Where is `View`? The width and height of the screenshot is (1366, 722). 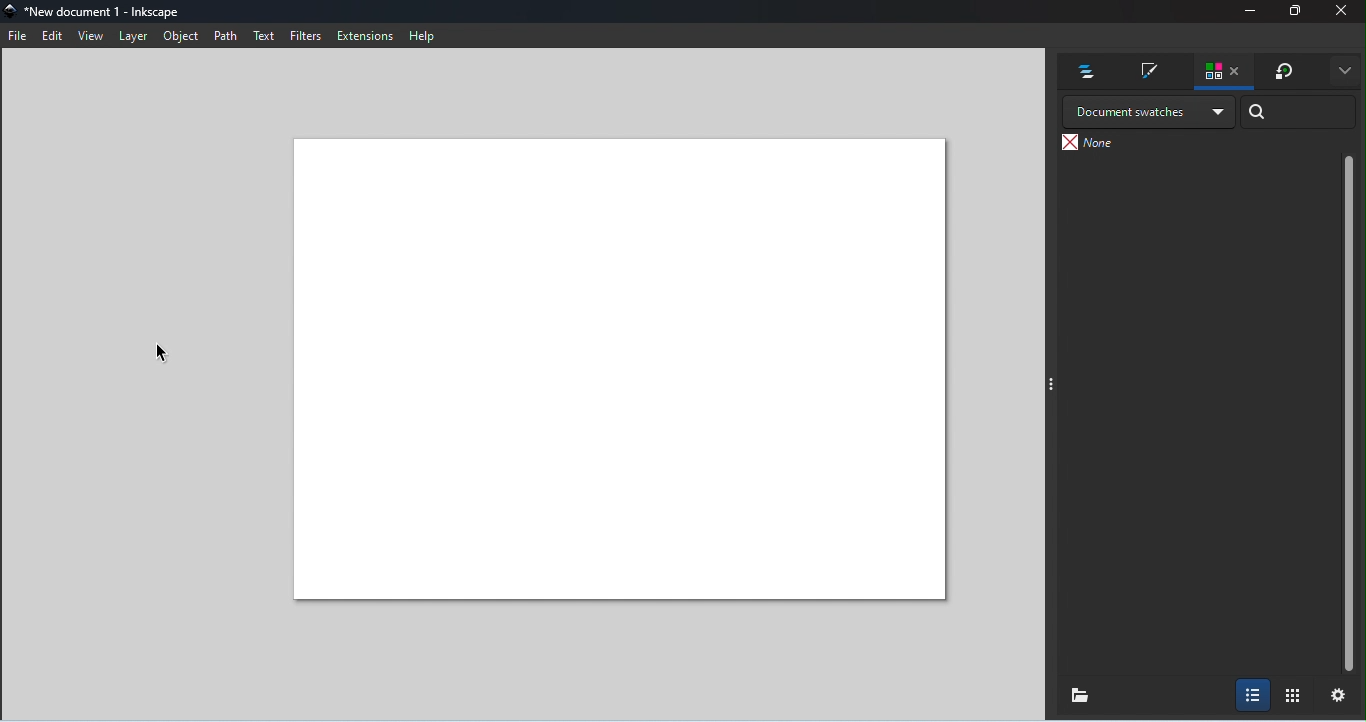 View is located at coordinates (95, 37).